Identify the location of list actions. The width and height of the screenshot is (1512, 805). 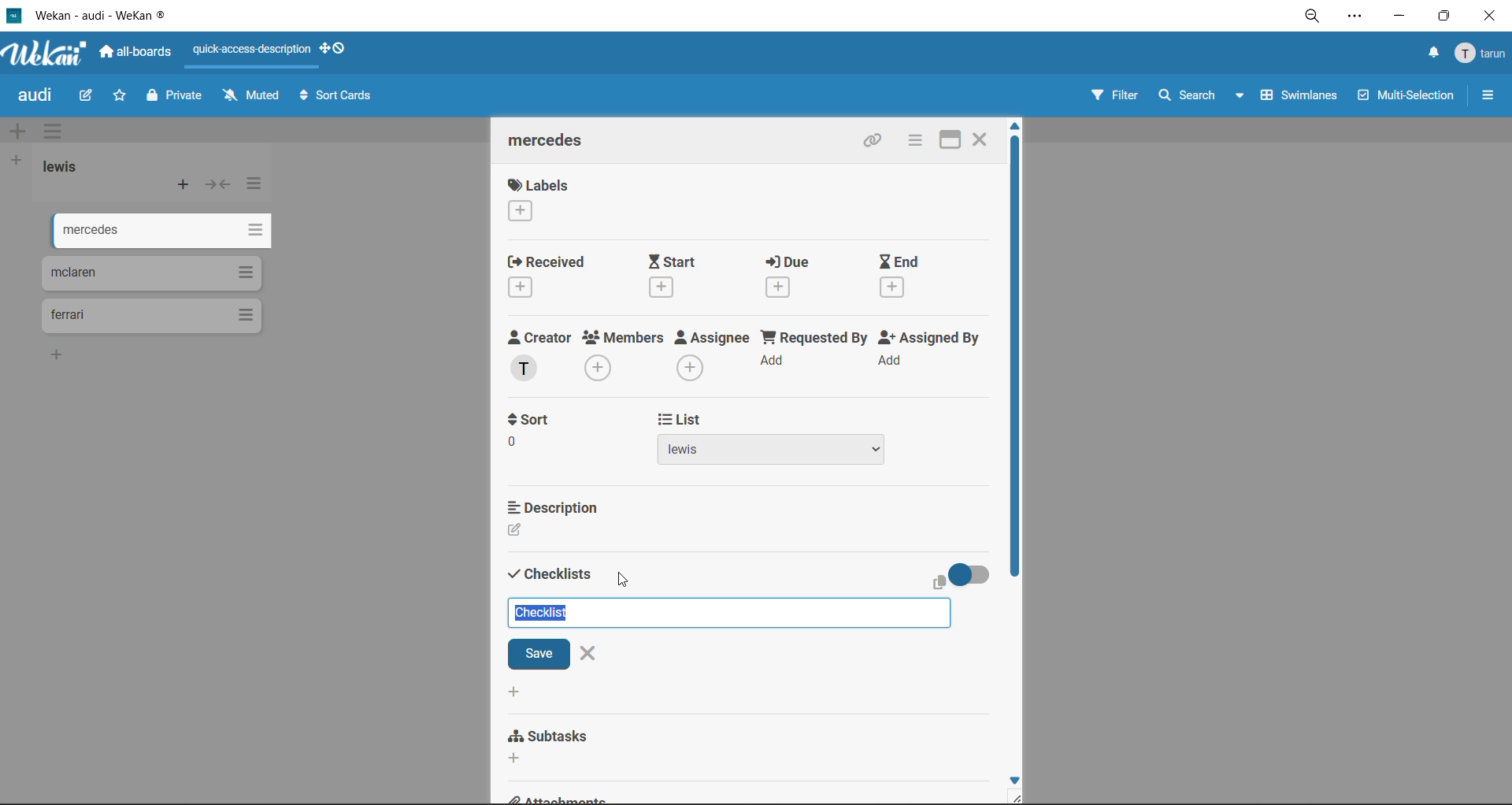
(256, 184).